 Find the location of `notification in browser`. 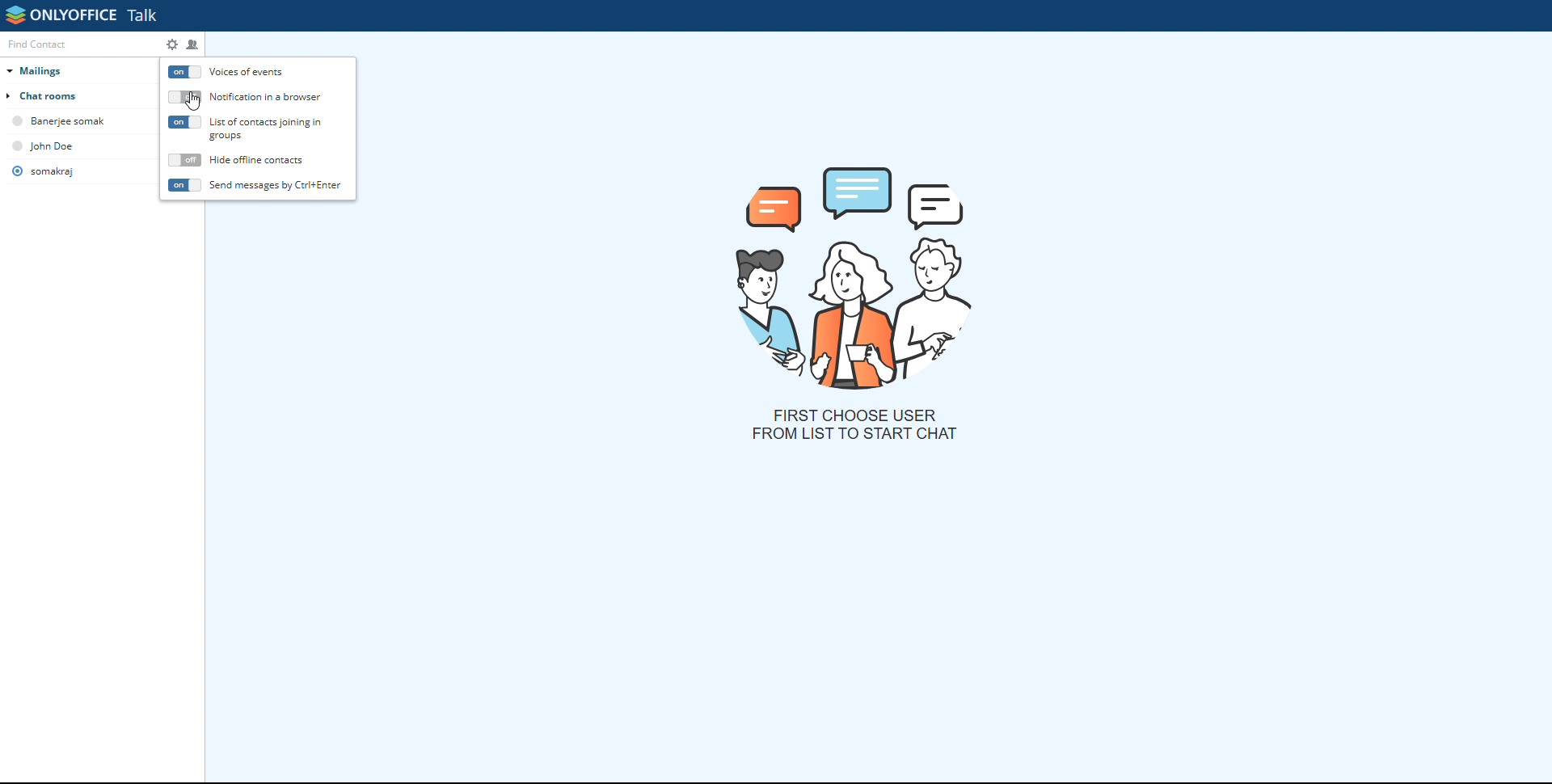

notification in browser is located at coordinates (184, 97).